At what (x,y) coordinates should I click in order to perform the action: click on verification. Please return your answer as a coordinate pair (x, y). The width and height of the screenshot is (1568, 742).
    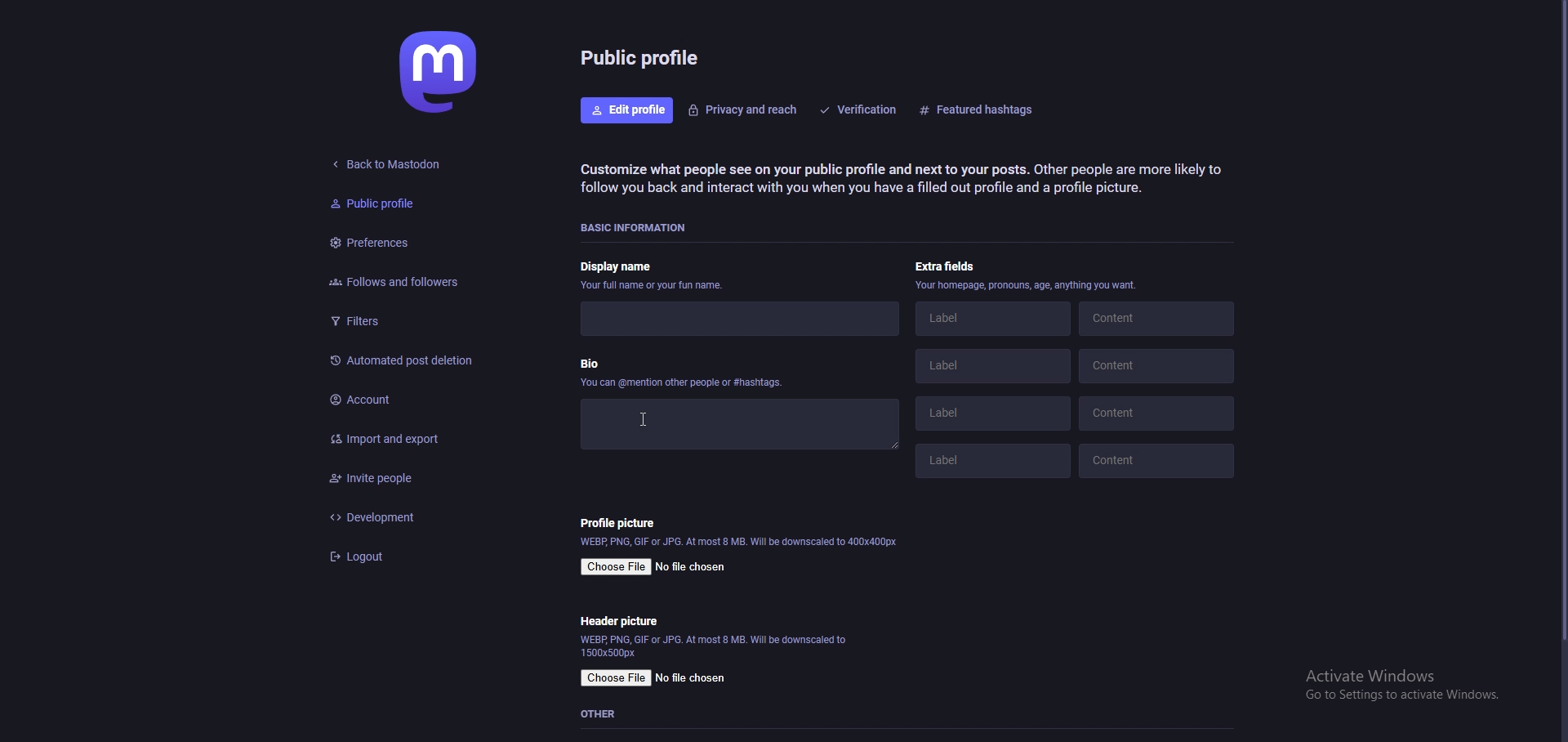
    Looking at the image, I should click on (861, 109).